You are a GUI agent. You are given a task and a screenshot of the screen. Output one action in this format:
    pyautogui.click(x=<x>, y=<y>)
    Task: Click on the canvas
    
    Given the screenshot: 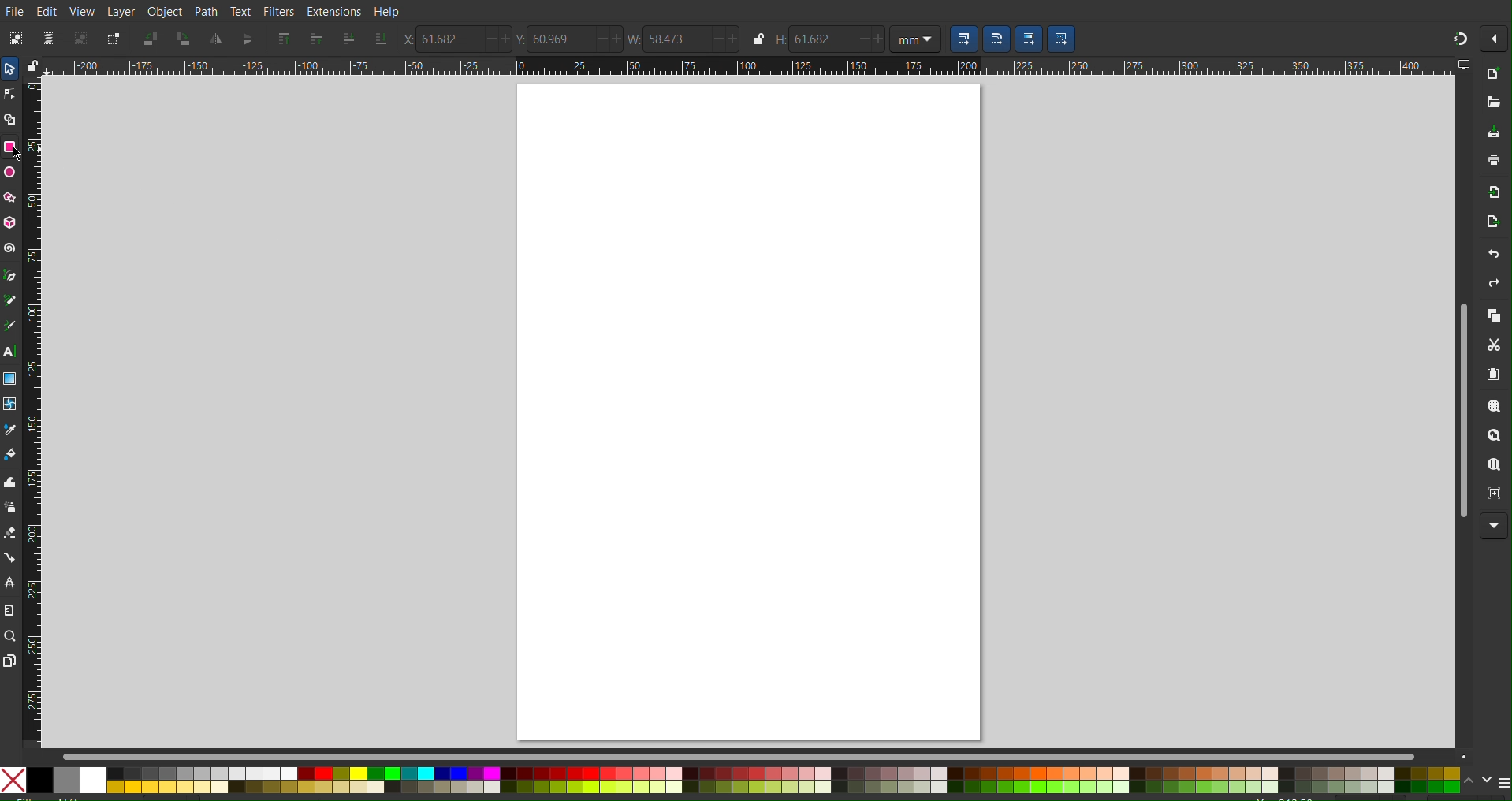 What is the action you would take?
    pyautogui.click(x=749, y=413)
    